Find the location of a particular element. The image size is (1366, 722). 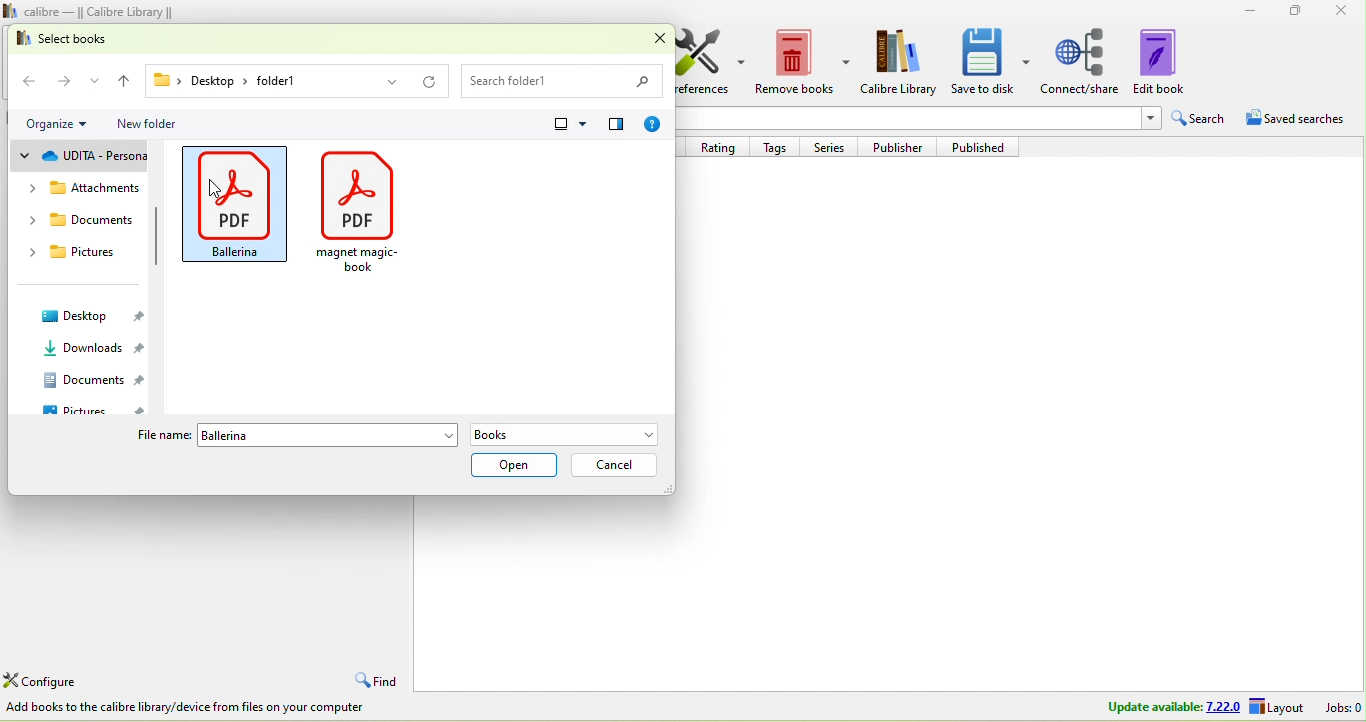

desktop is located at coordinates (199, 81).